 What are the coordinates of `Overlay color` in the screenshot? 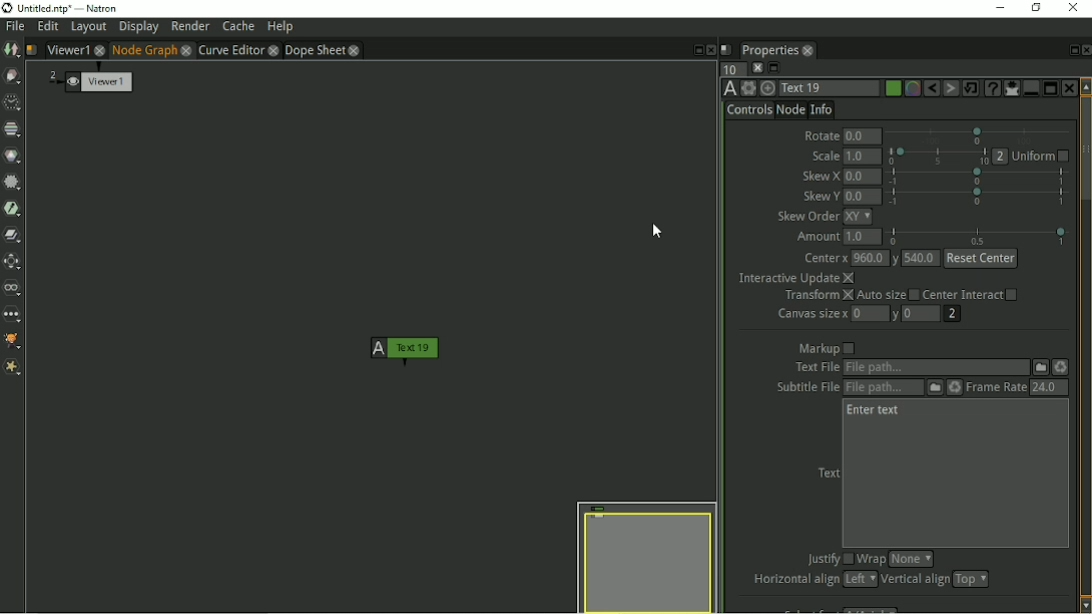 It's located at (912, 89).